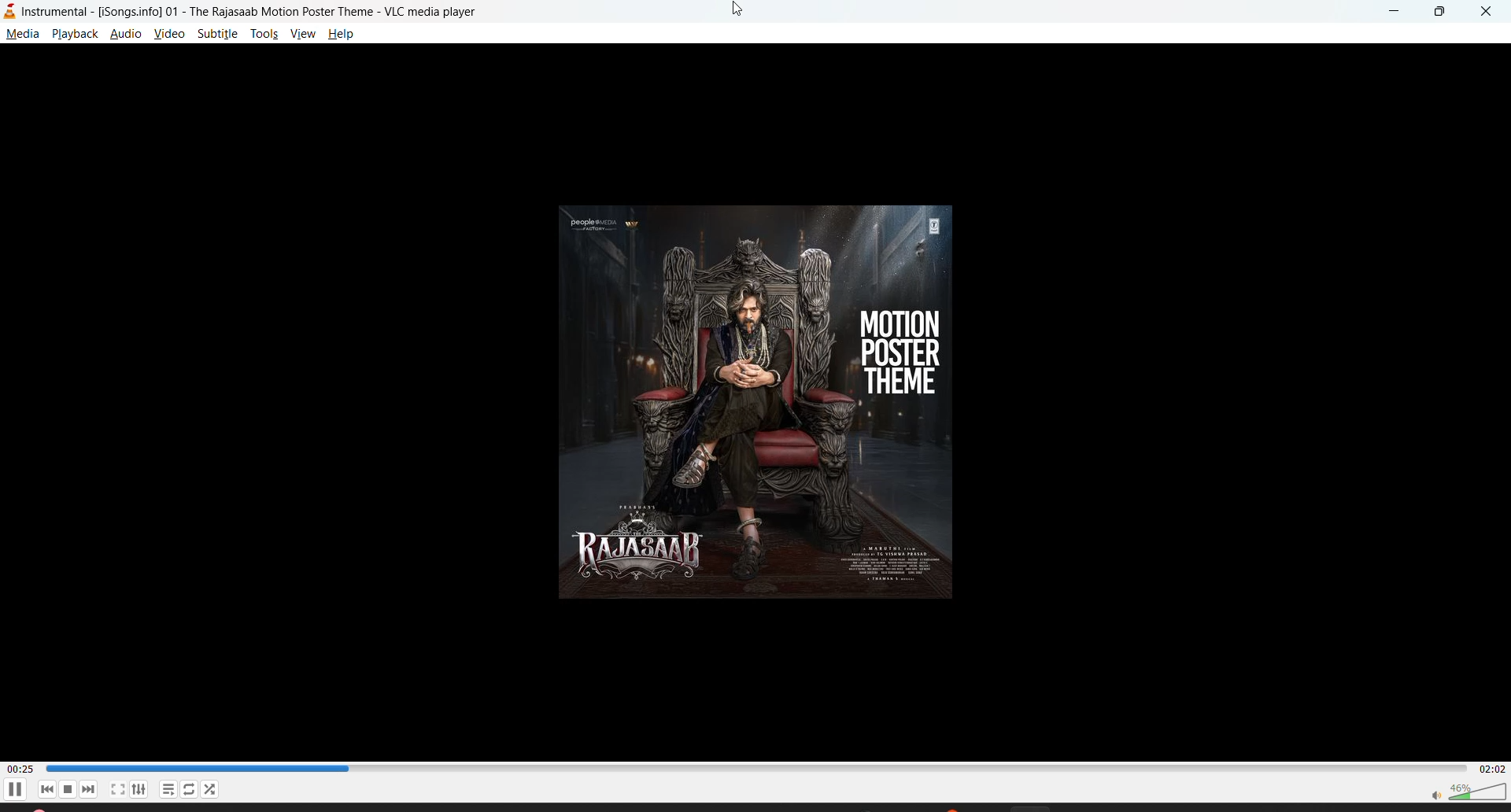 This screenshot has height=812, width=1511. What do you see at coordinates (118, 789) in the screenshot?
I see `fullscreen` at bounding box center [118, 789].